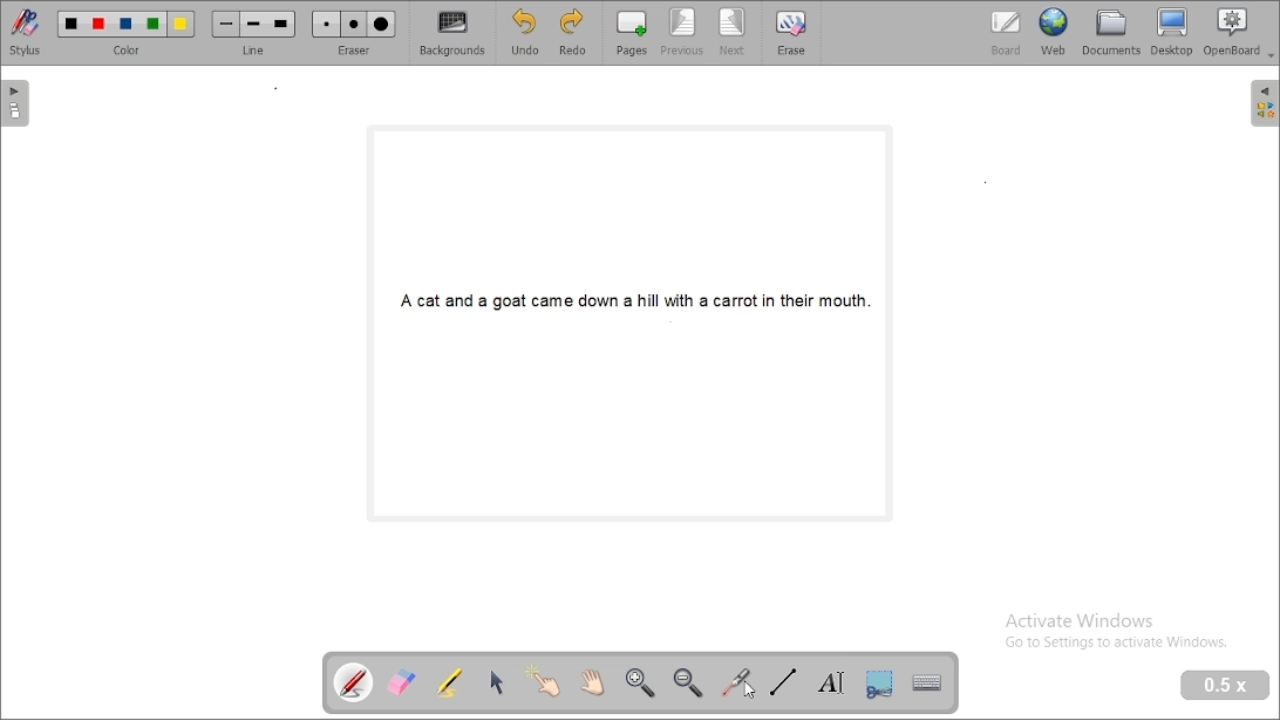 This screenshot has width=1280, height=720. I want to click on zoom in, so click(641, 684).